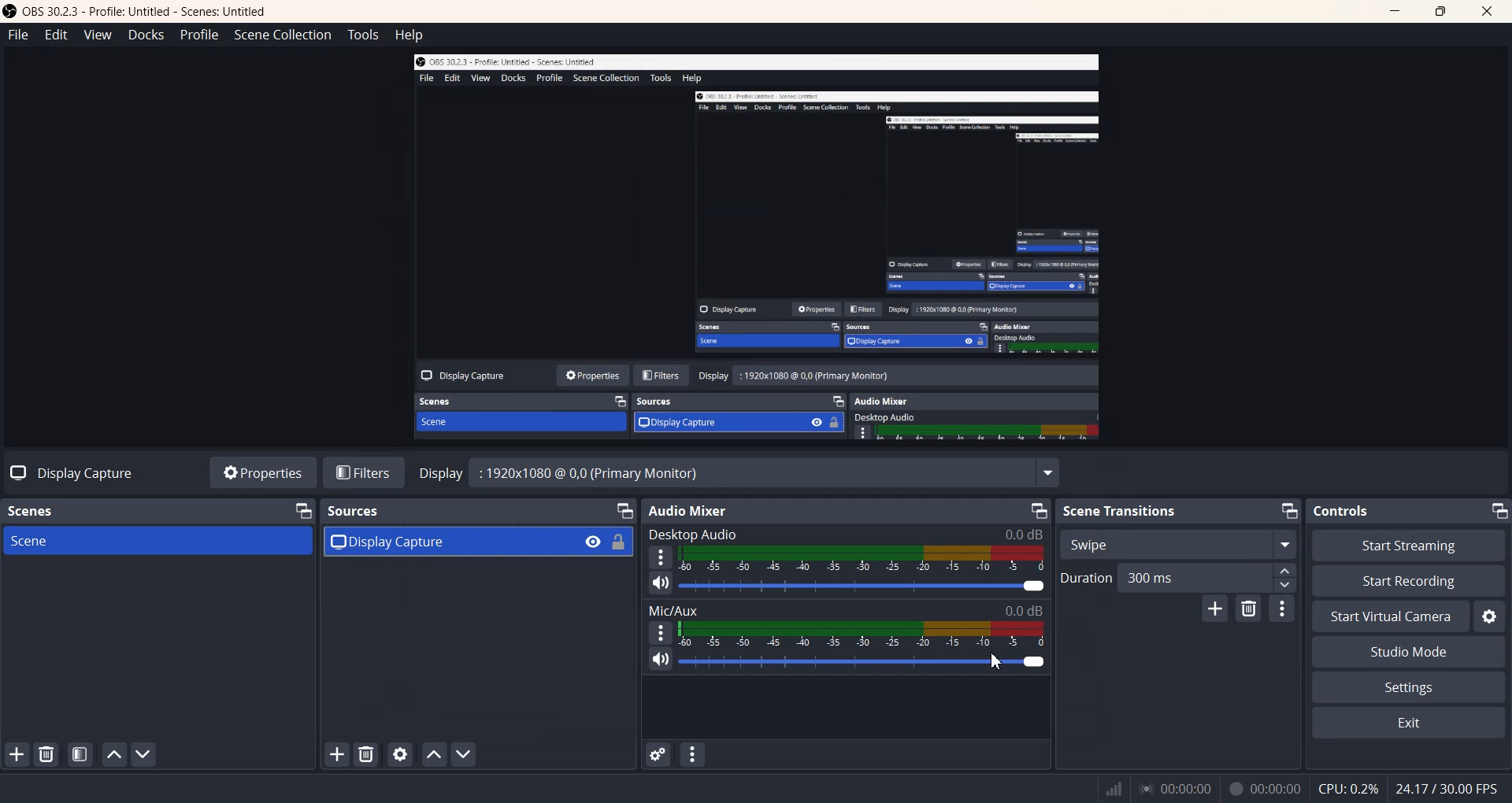  Describe the element at coordinates (658, 632) in the screenshot. I see `More` at that location.